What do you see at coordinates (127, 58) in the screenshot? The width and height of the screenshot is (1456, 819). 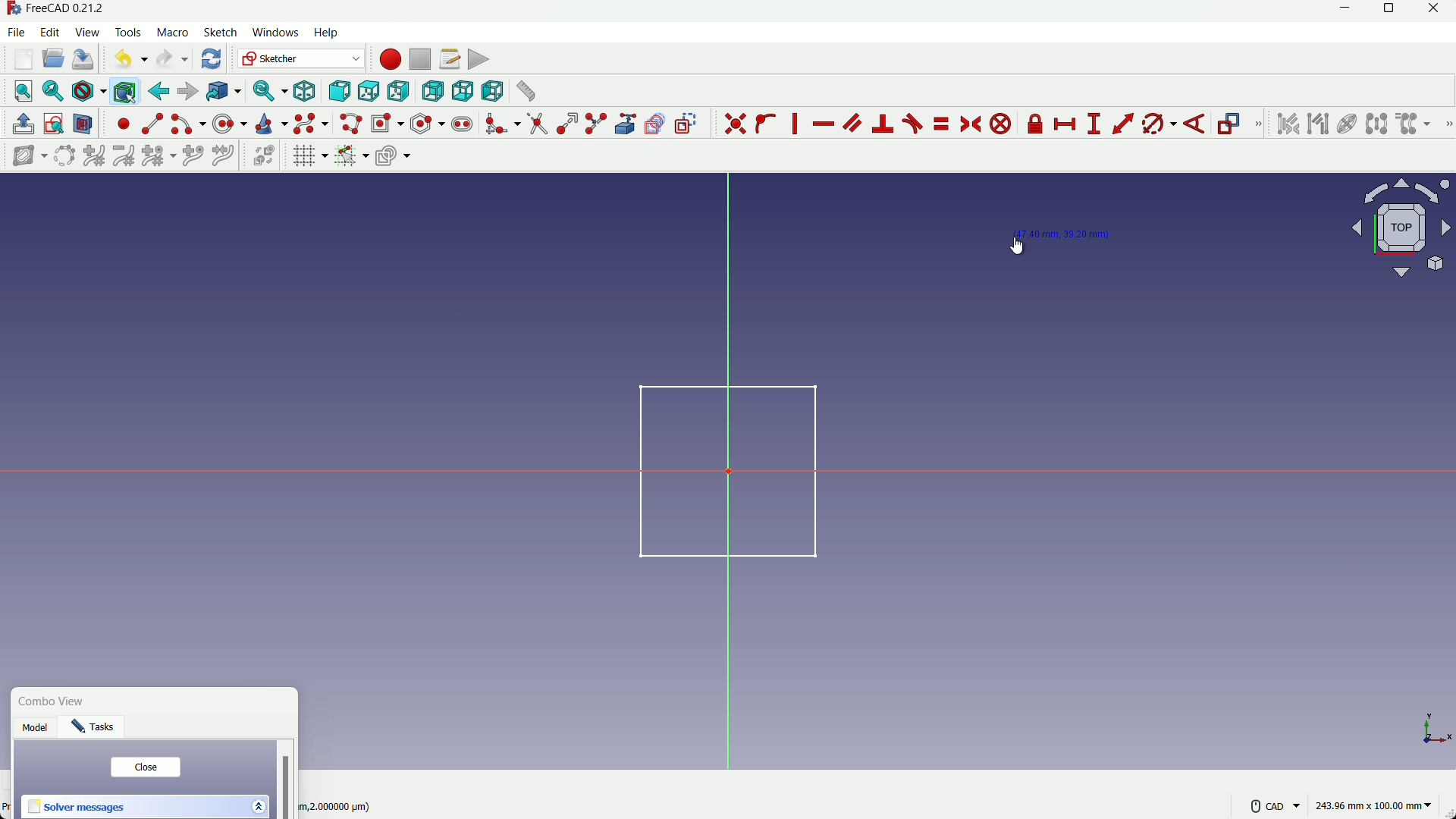 I see `undo` at bounding box center [127, 58].